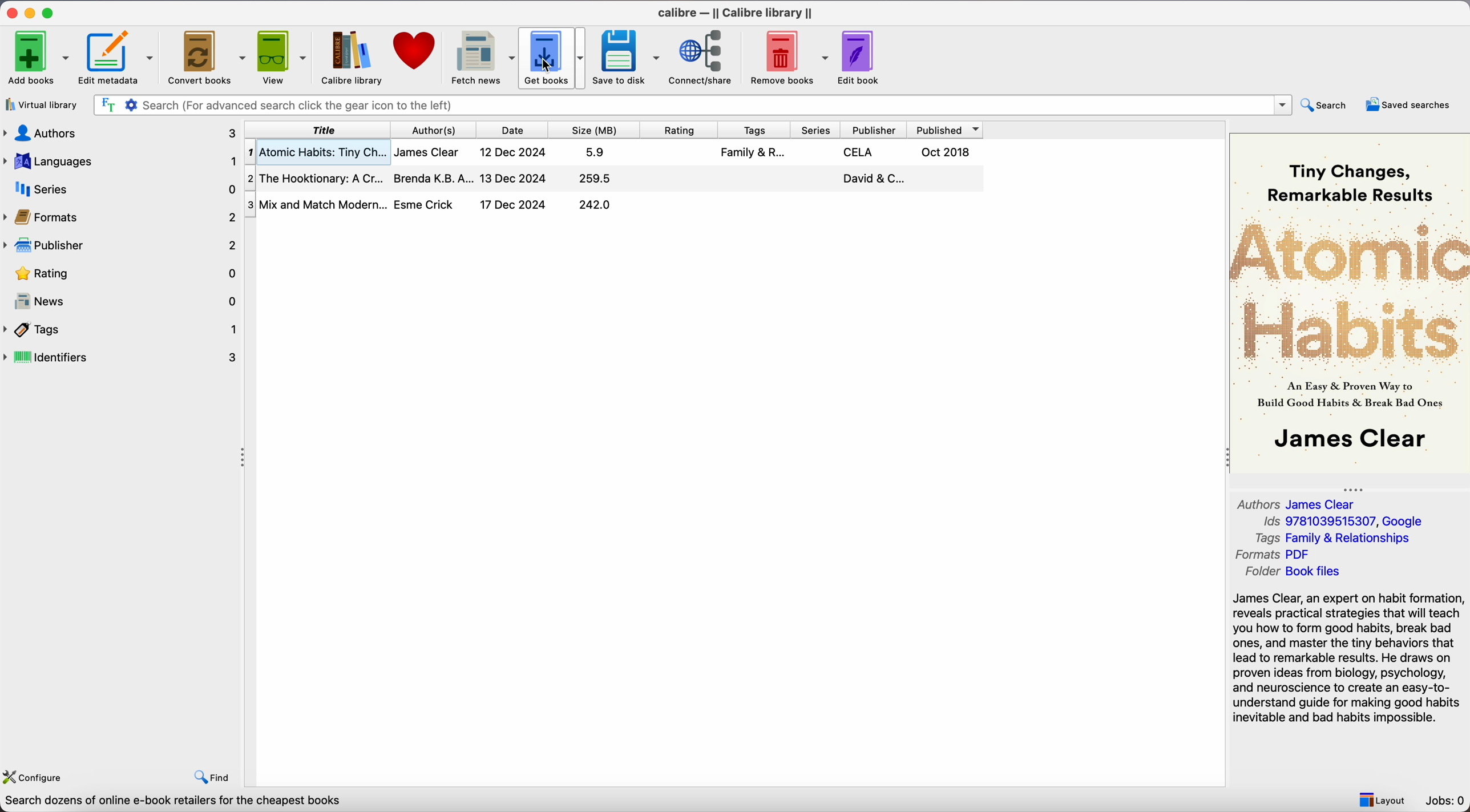 Image resolution: width=1470 pixels, height=812 pixels. I want to click on news, so click(123, 302).